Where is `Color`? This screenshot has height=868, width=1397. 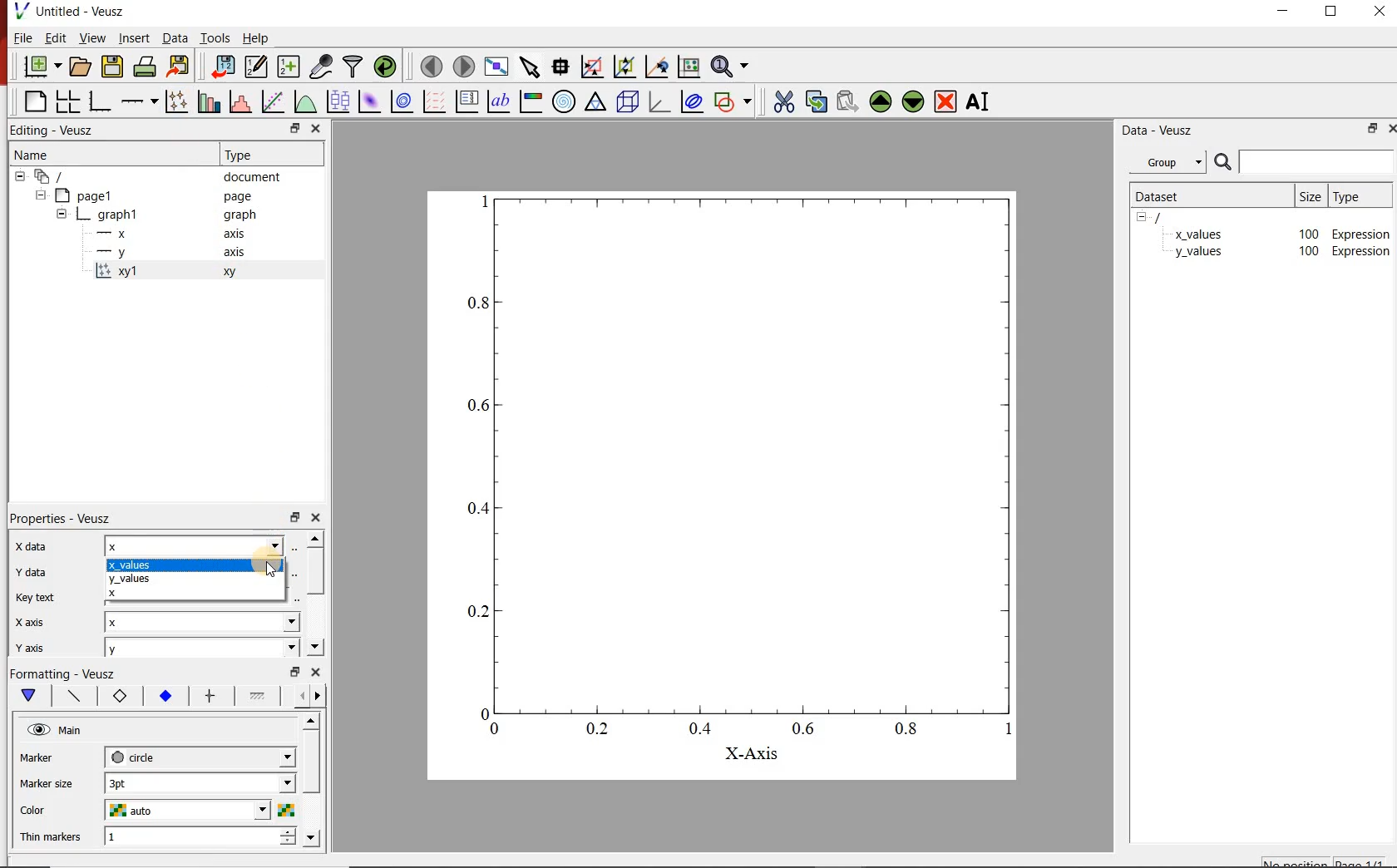
Color is located at coordinates (37, 811).